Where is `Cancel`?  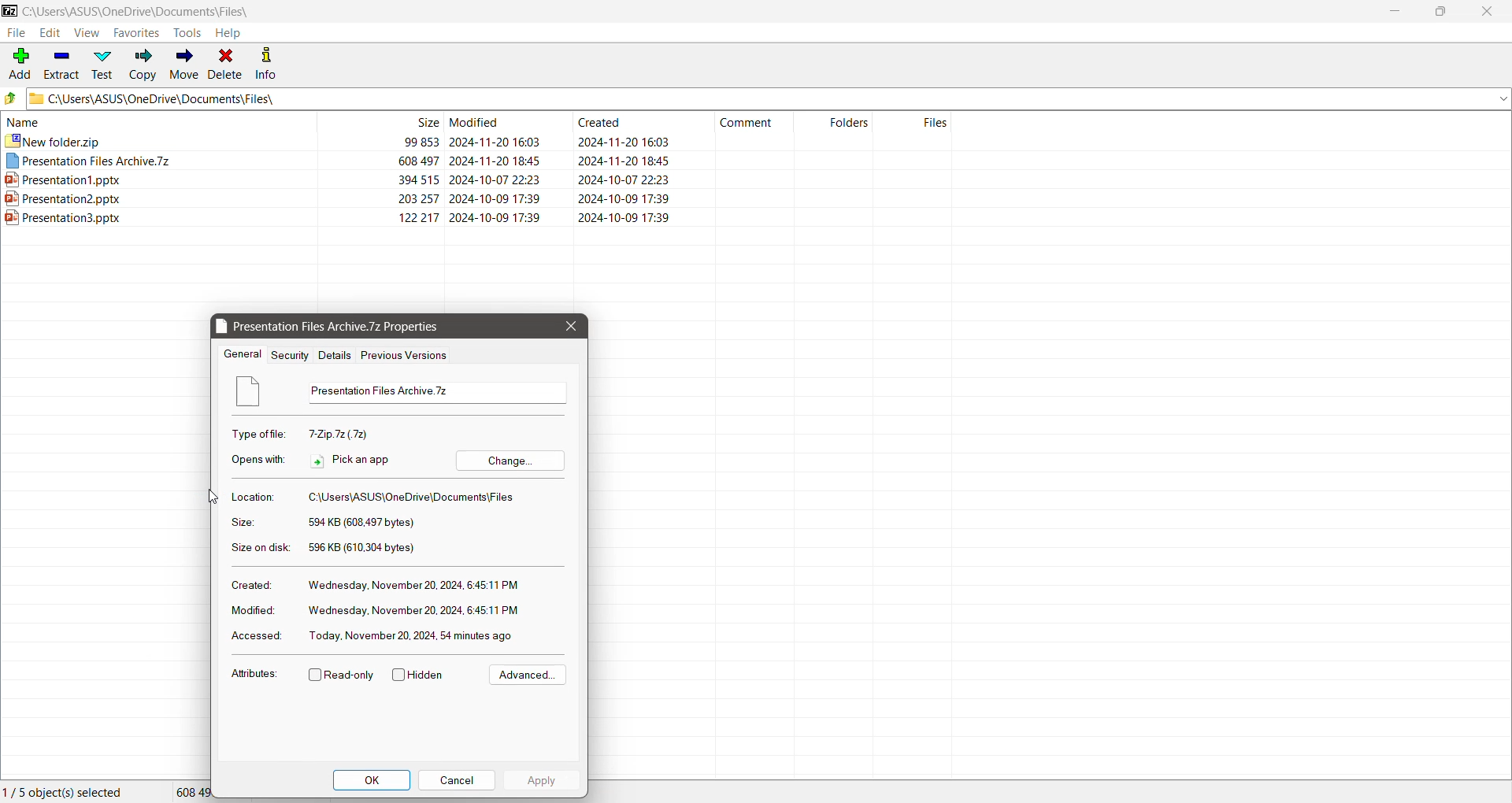 Cancel is located at coordinates (457, 779).